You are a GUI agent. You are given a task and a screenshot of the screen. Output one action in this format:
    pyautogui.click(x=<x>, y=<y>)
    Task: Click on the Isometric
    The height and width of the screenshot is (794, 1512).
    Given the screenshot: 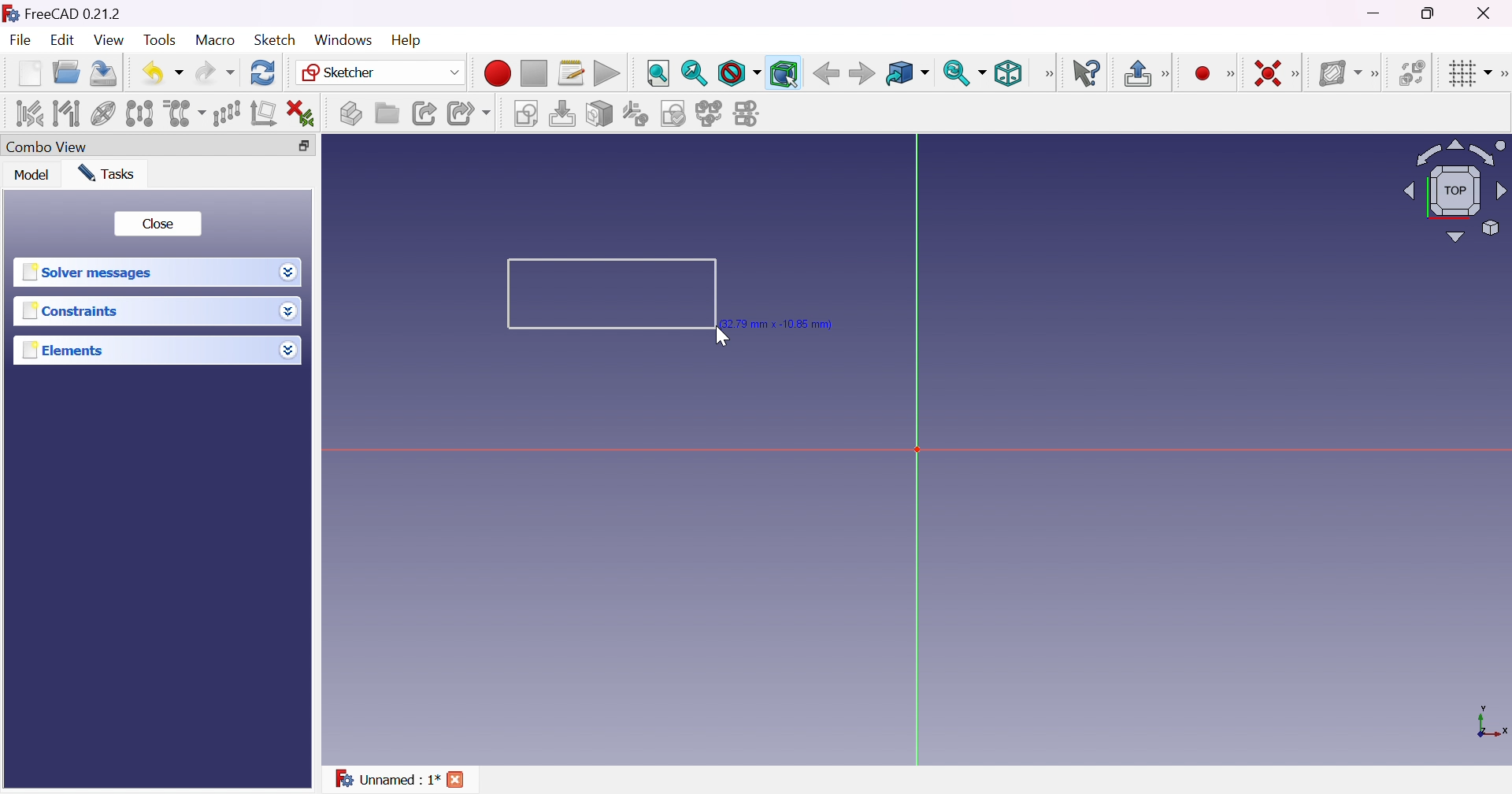 What is the action you would take?
    pyautogui.click(x=1009, y=72)
    